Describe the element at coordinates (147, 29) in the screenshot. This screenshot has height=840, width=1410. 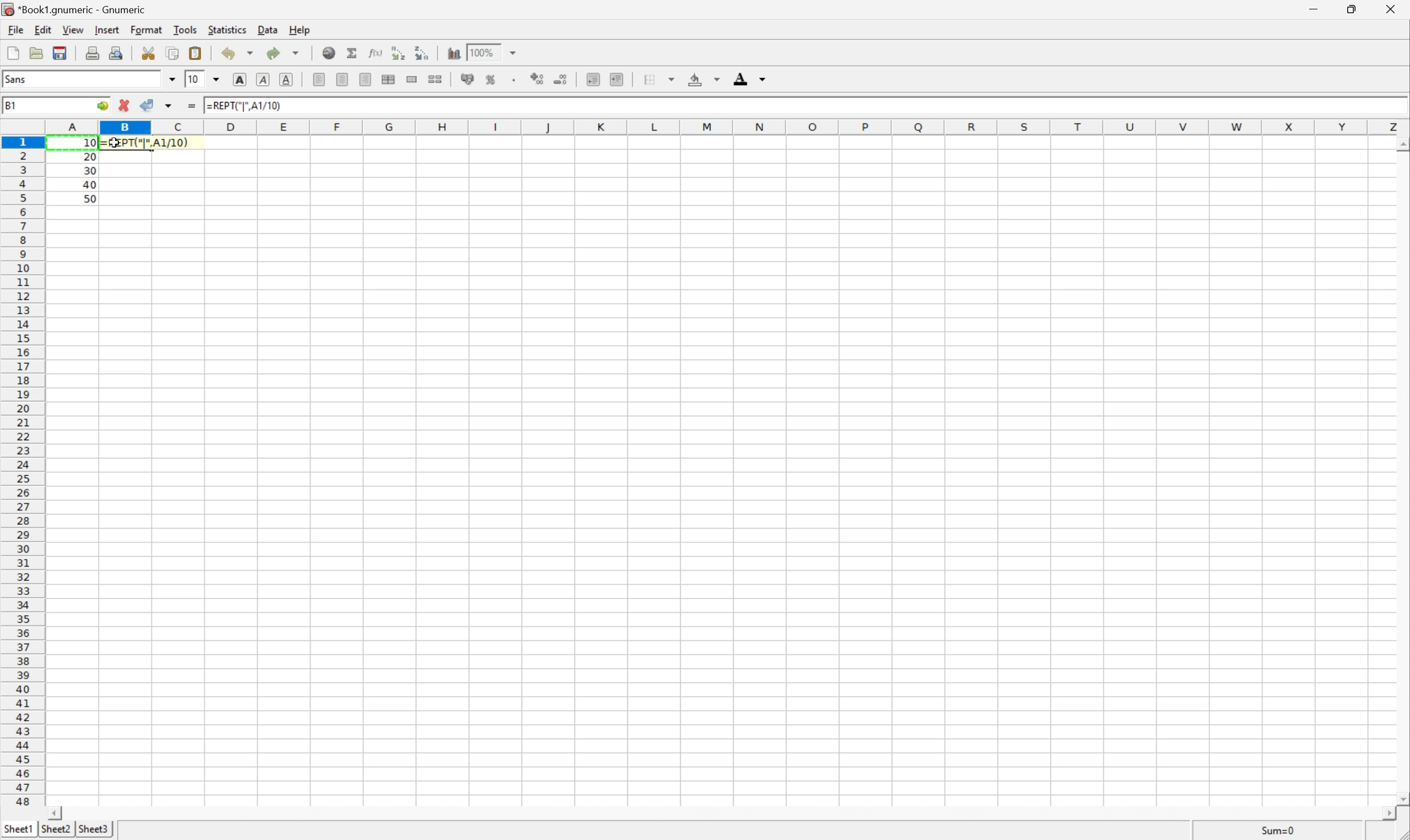
I see `Format` at that location.